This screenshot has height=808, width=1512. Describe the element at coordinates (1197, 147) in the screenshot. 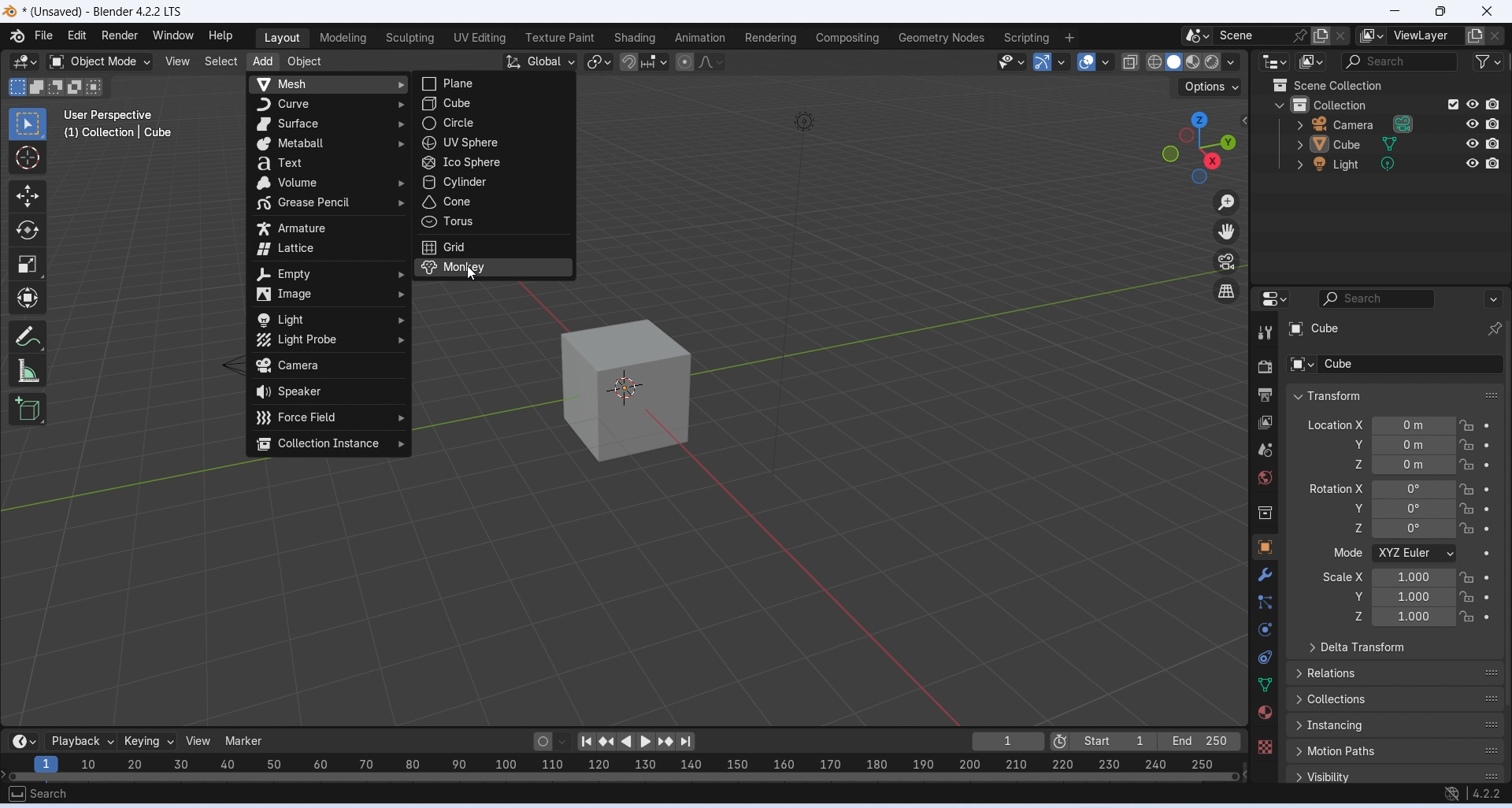

I see `Click` at that location.